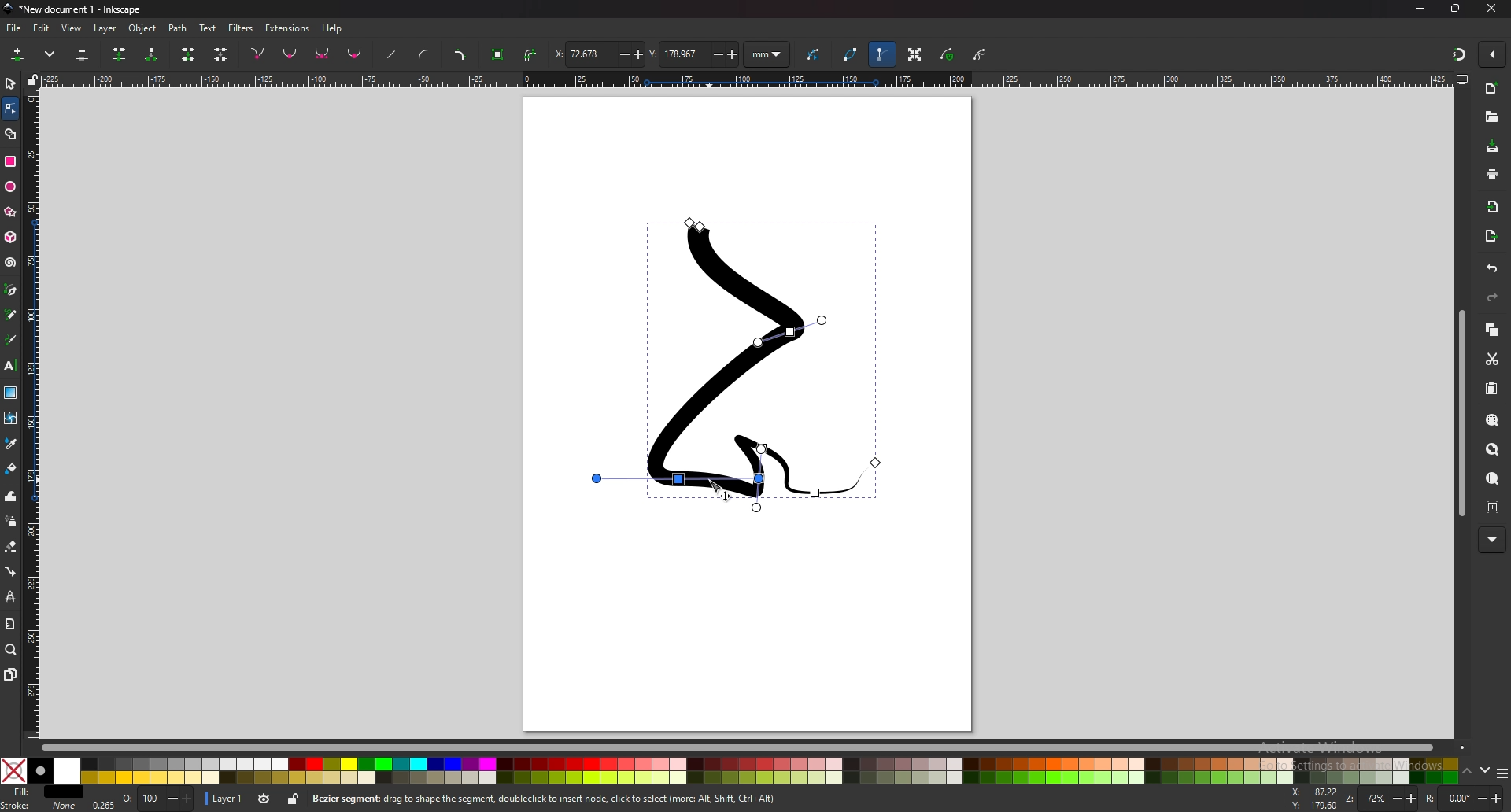 The height and width of the screenshot is (812, 1511). Describe the element at coordinates (599, 54) in the screenshot. I see `x coordinates` at that location.